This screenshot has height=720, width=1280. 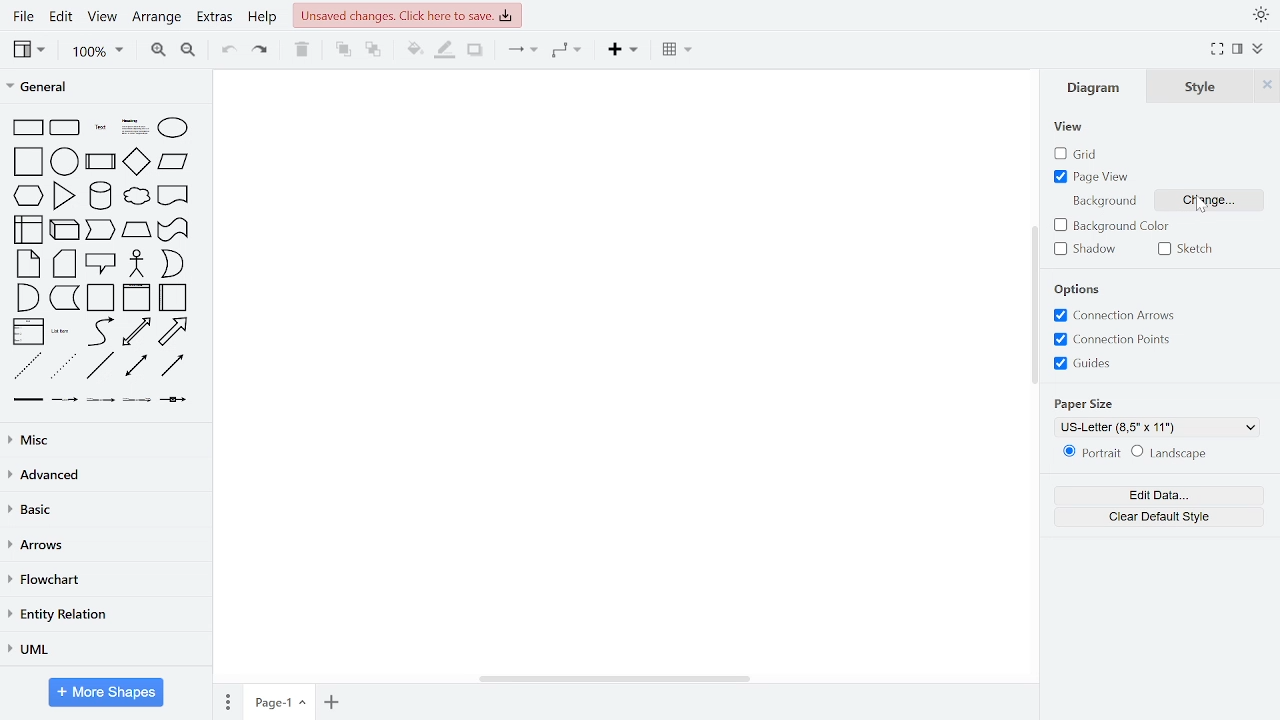 I want to click on page view, so click(x=1094, y=178).